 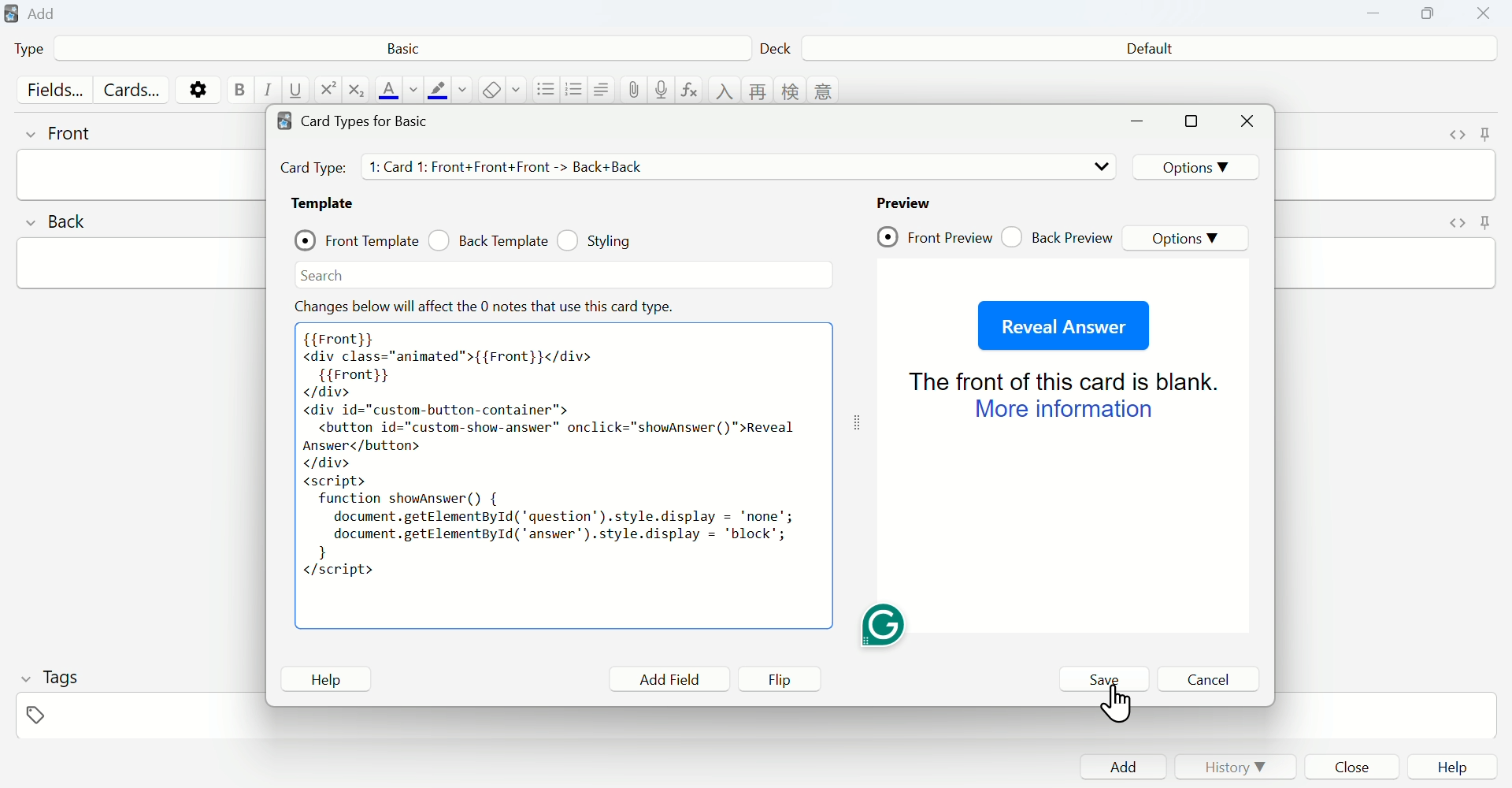 What do you see at coordinates (791, 90) in the screenshot?
I see `language` at bounding box center [791, 90].